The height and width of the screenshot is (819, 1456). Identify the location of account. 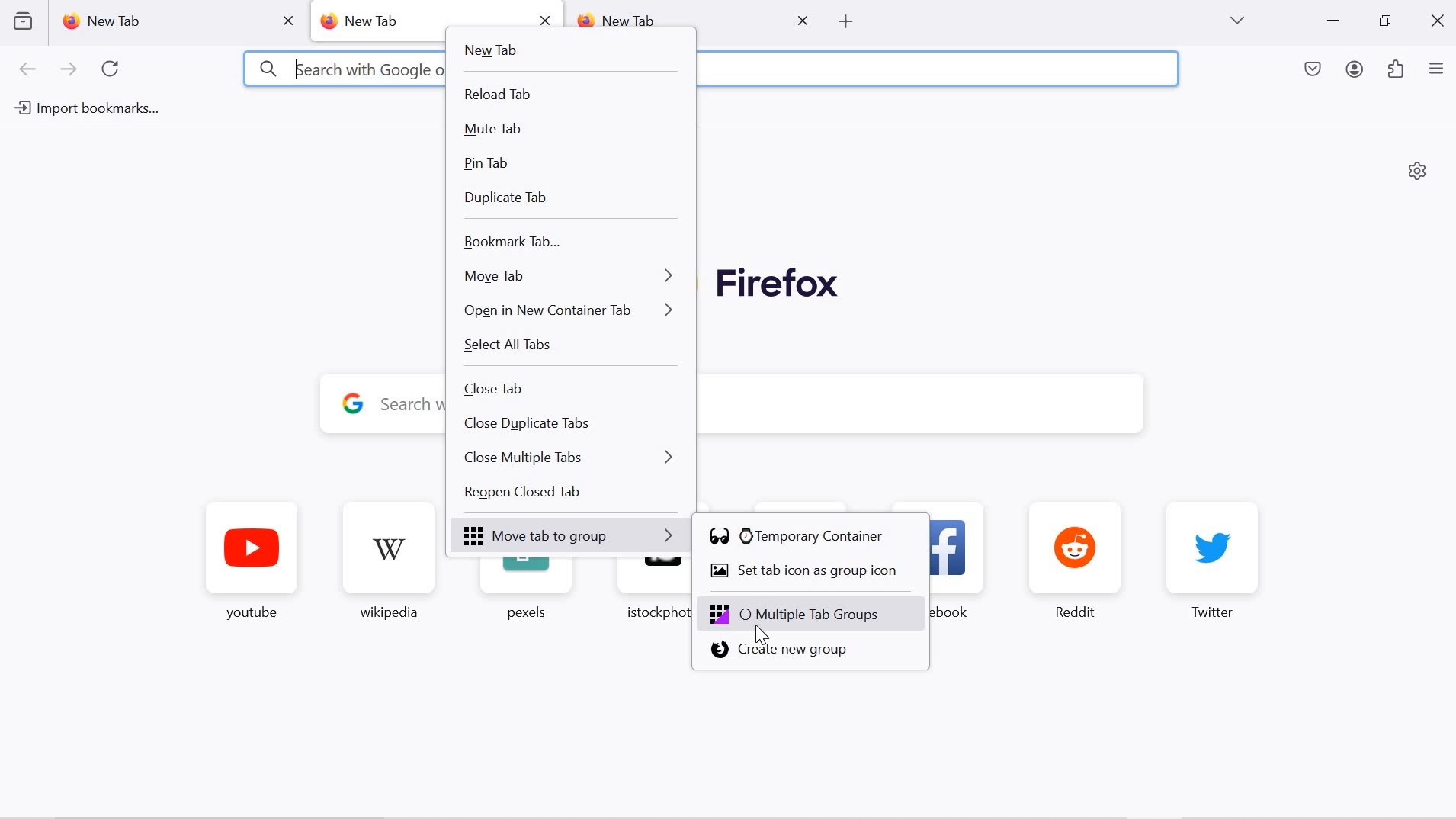
(1357, 72).